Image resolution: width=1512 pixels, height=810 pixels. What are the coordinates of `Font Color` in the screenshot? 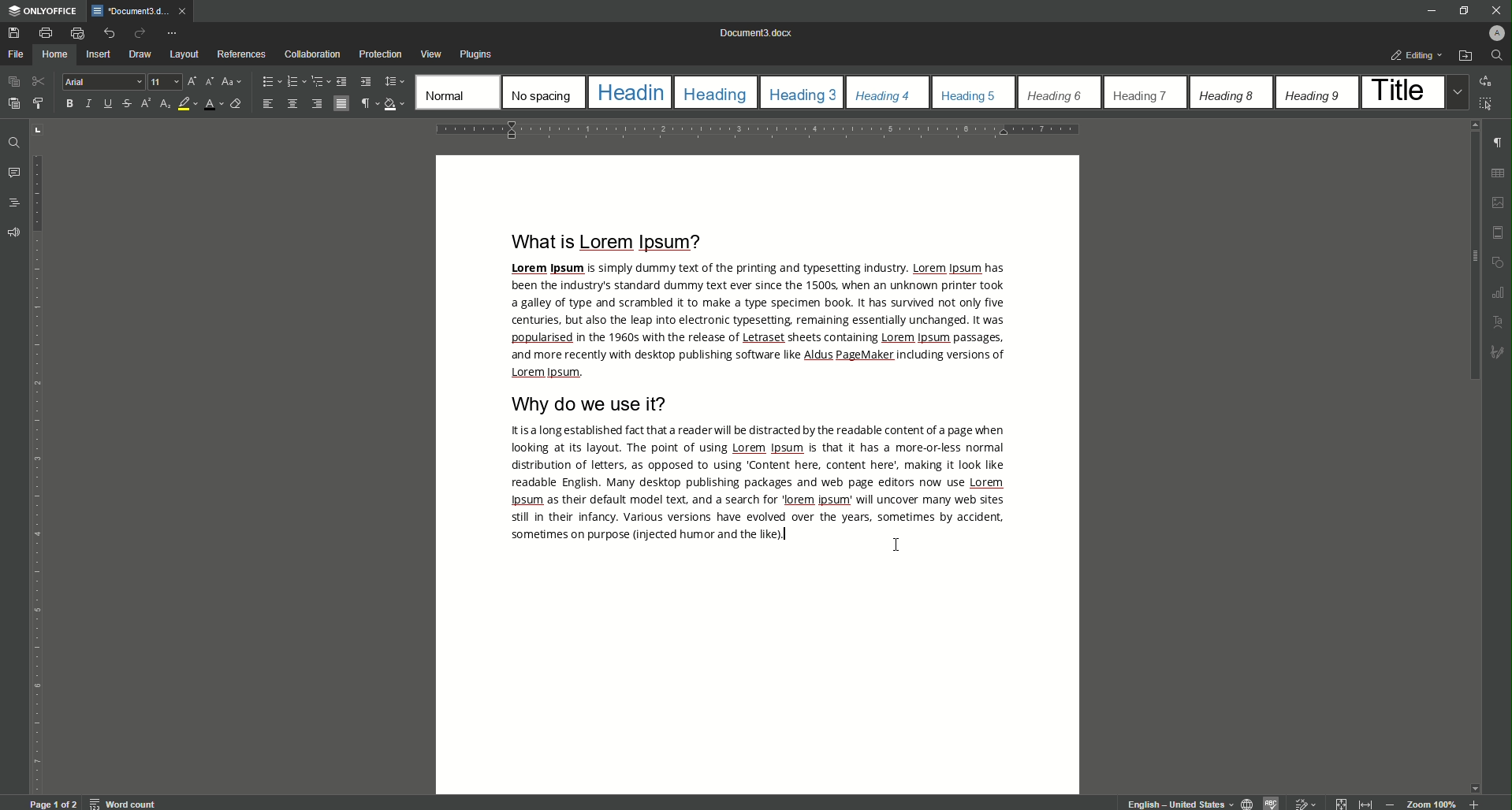 It's located at (209, 104).